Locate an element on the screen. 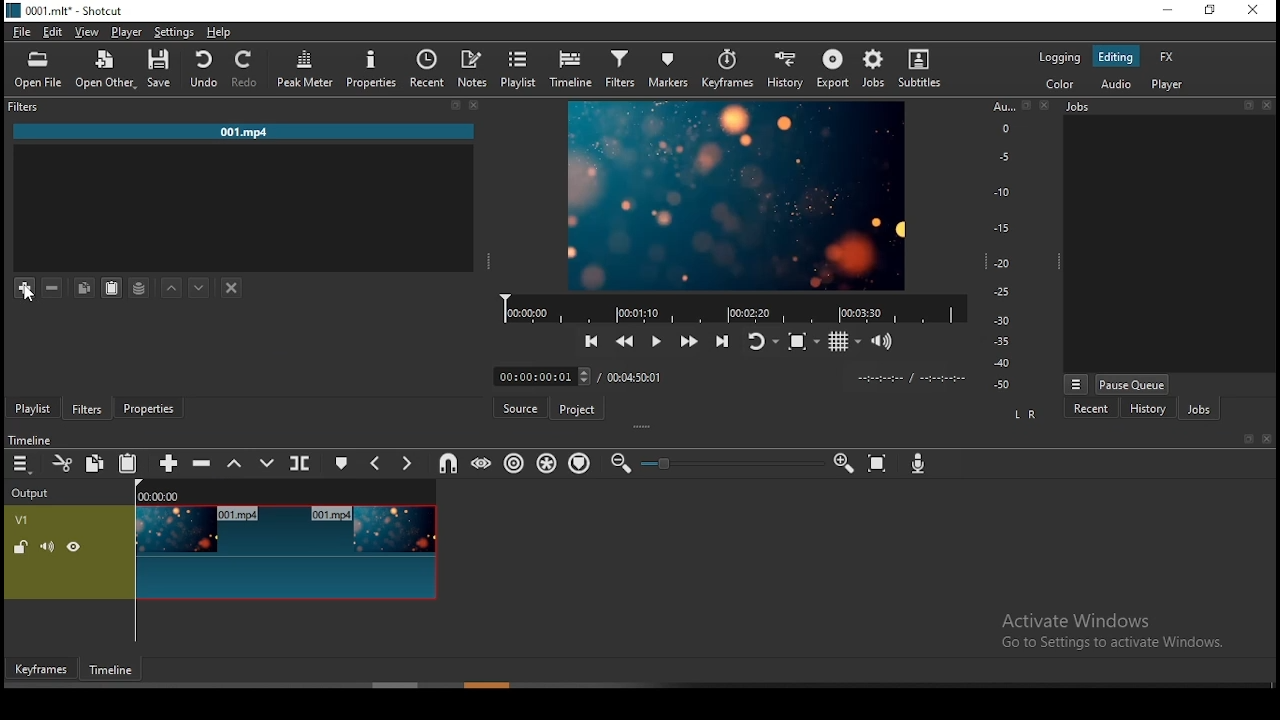 The width and height of the screenshot is (1280, 720). volume control is located at coordinates (882, 341).